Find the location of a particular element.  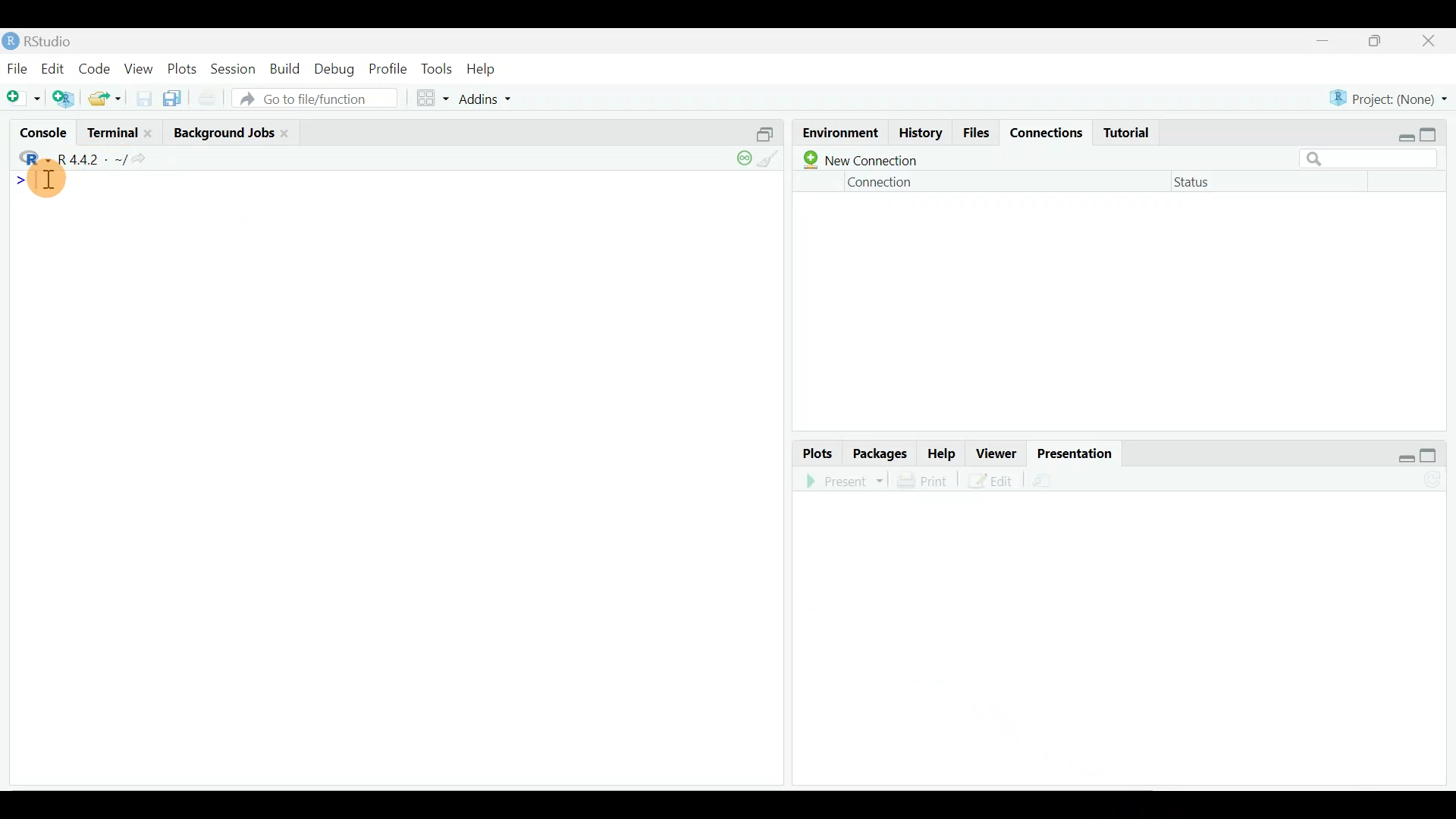

R 4.4.2 is located at coordinates (93, 159).